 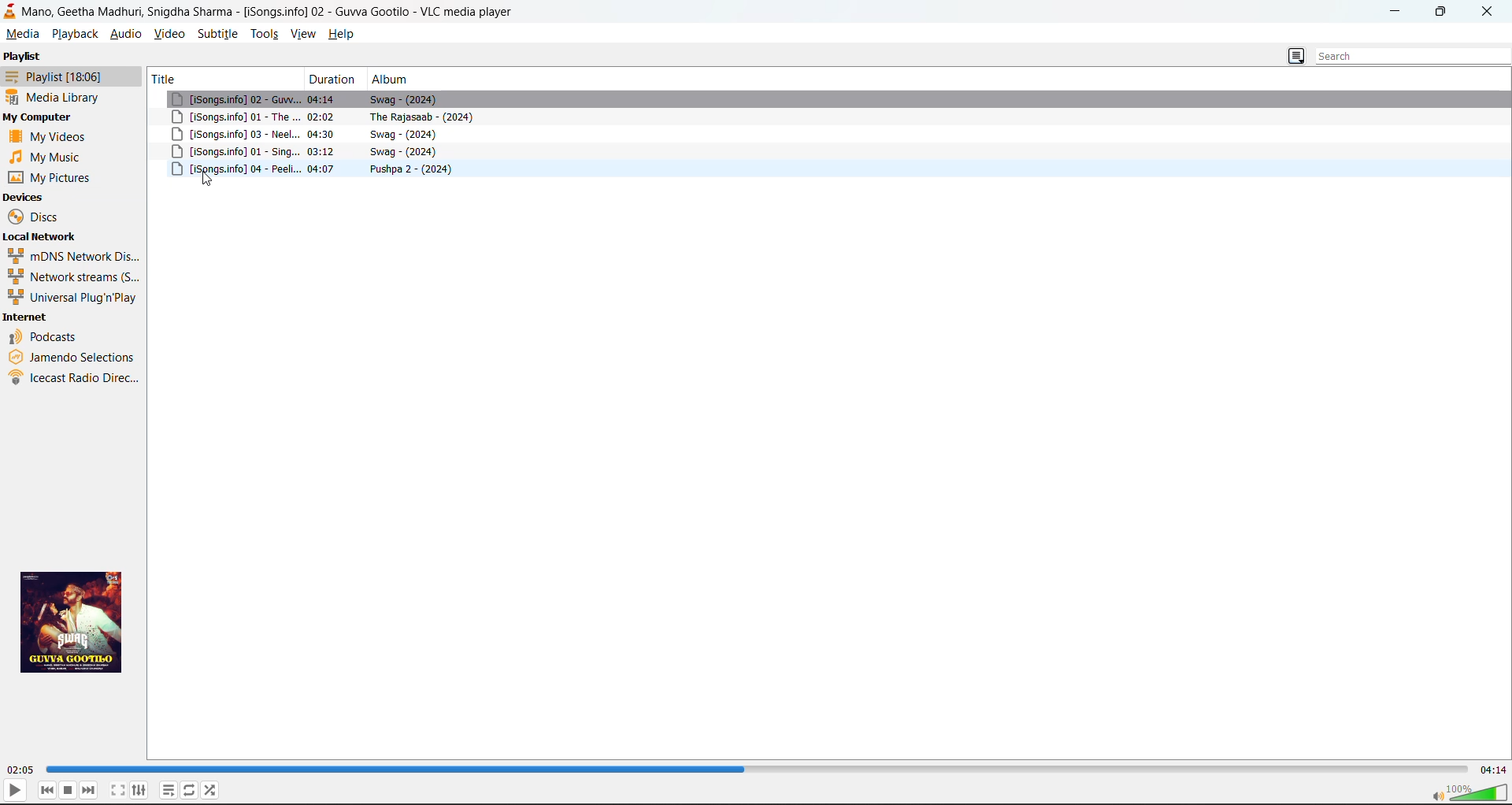 I want to click on network streams, so click(x=69, y=276).